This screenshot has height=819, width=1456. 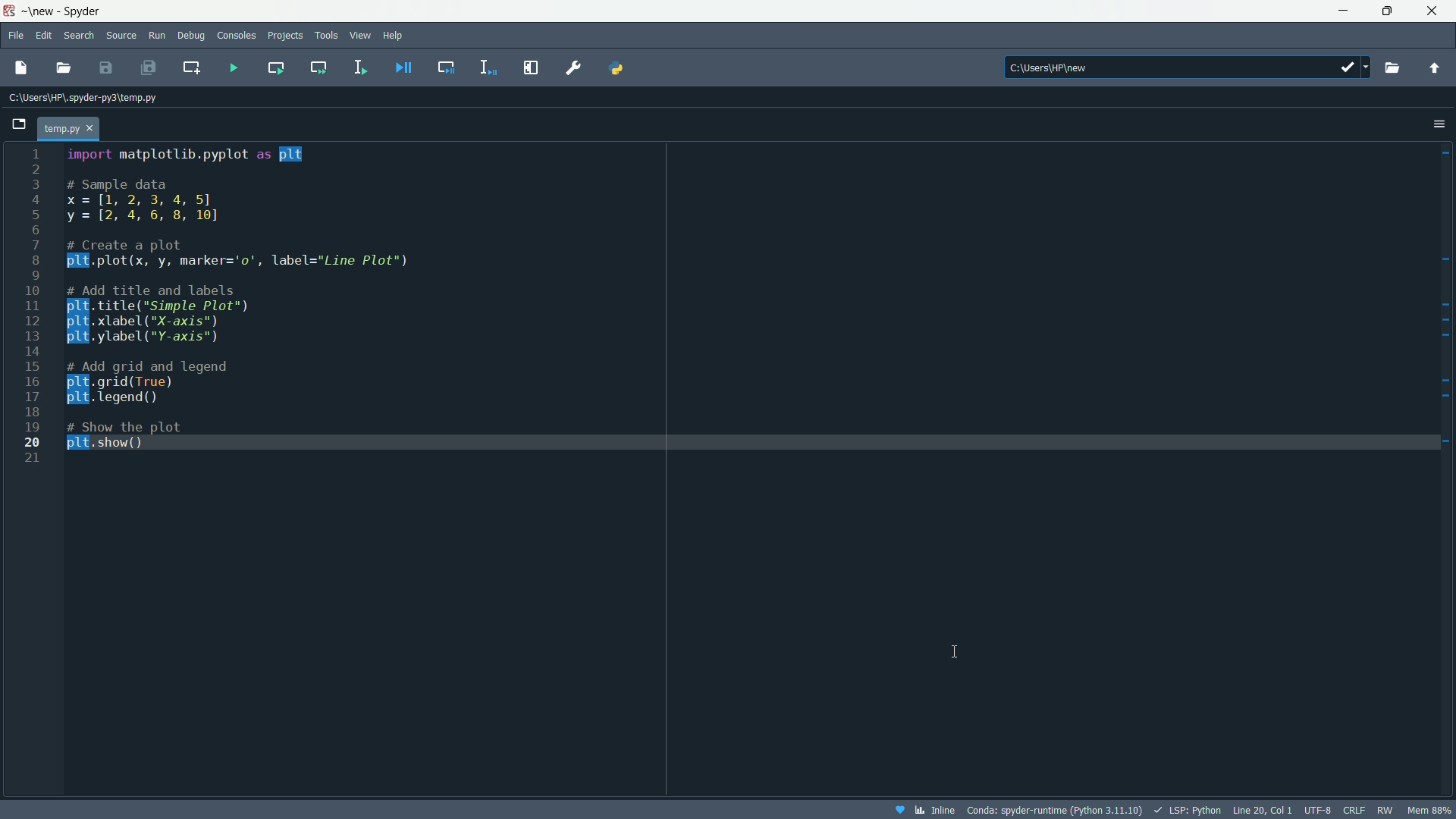 I want to click on debug cell, so click(x=445, y=66).